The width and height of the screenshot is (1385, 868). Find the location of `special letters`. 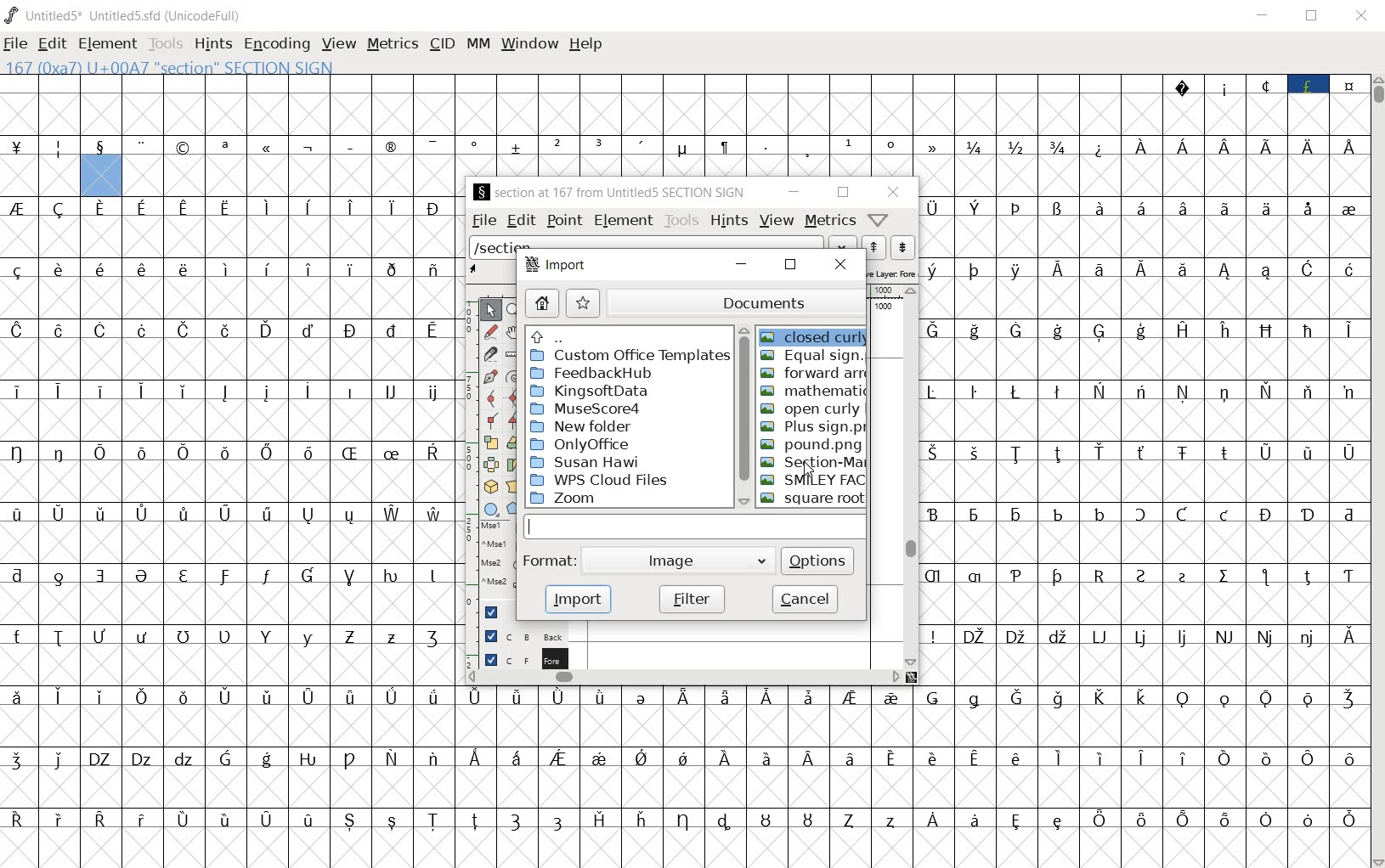

special letters is located at coordinates (1142, 268).